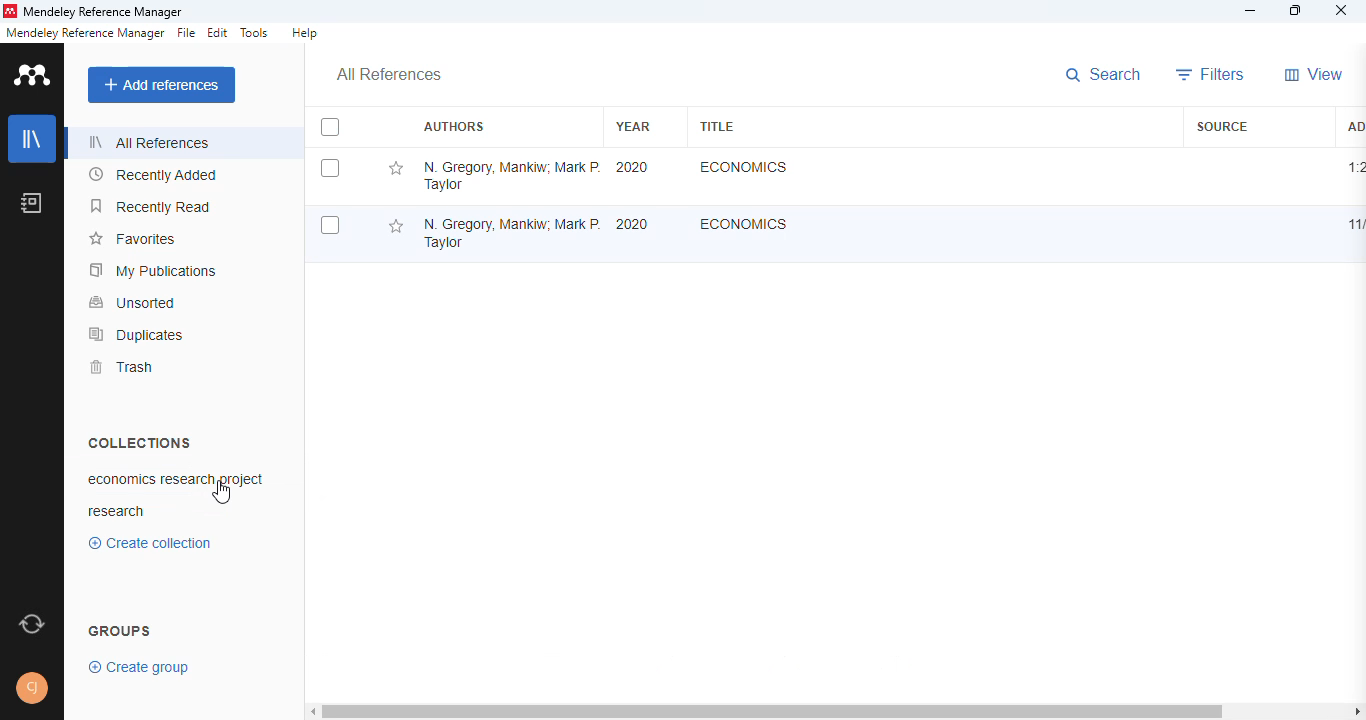 This screenshot has width=1366, height=720. What do you see at coordinates (633, 167) in the screenshot?
I see `2020` at bounding box center [633, 167].